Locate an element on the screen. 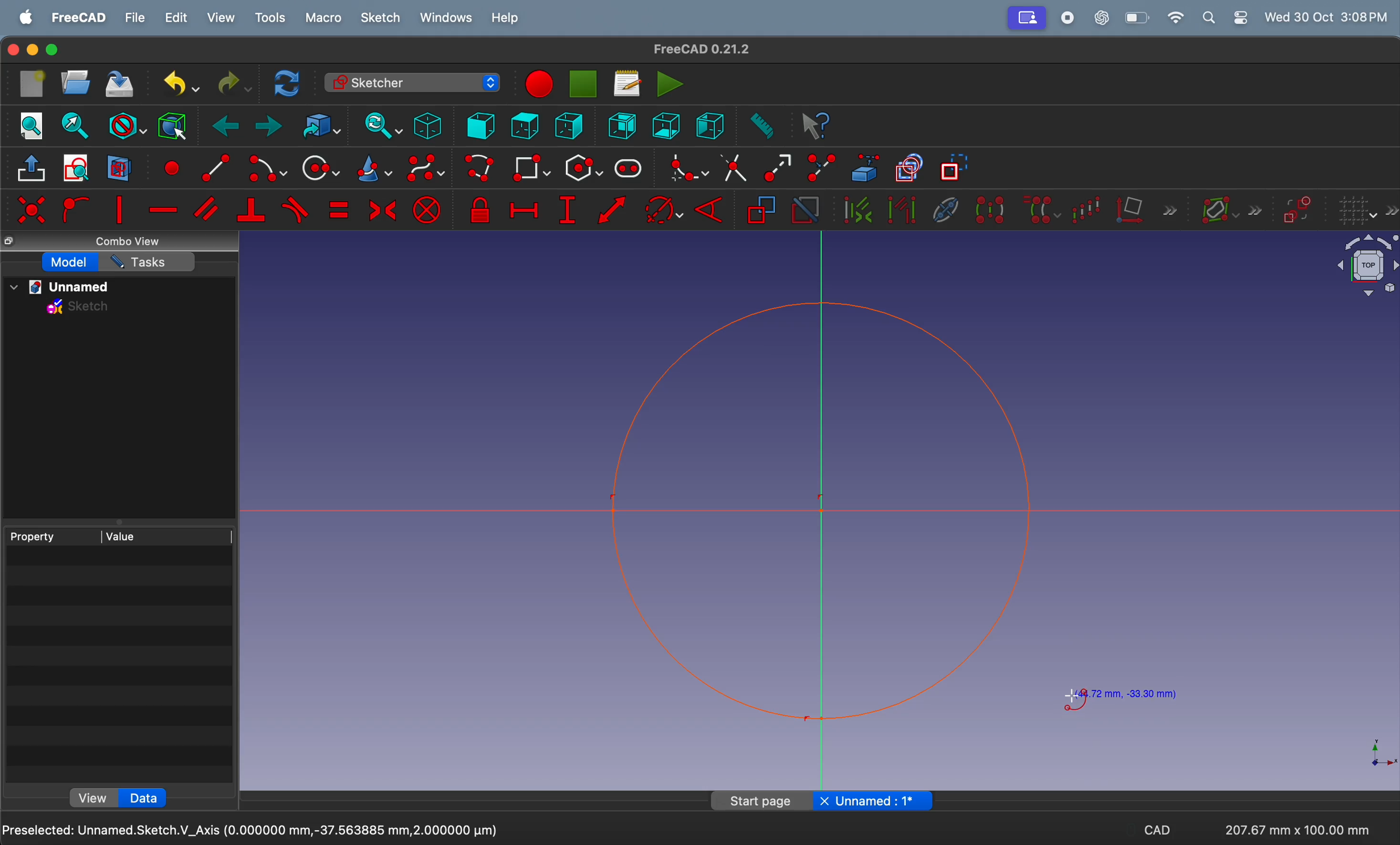 The image size is (1400, 845). save is located at coordinates (120, 86).